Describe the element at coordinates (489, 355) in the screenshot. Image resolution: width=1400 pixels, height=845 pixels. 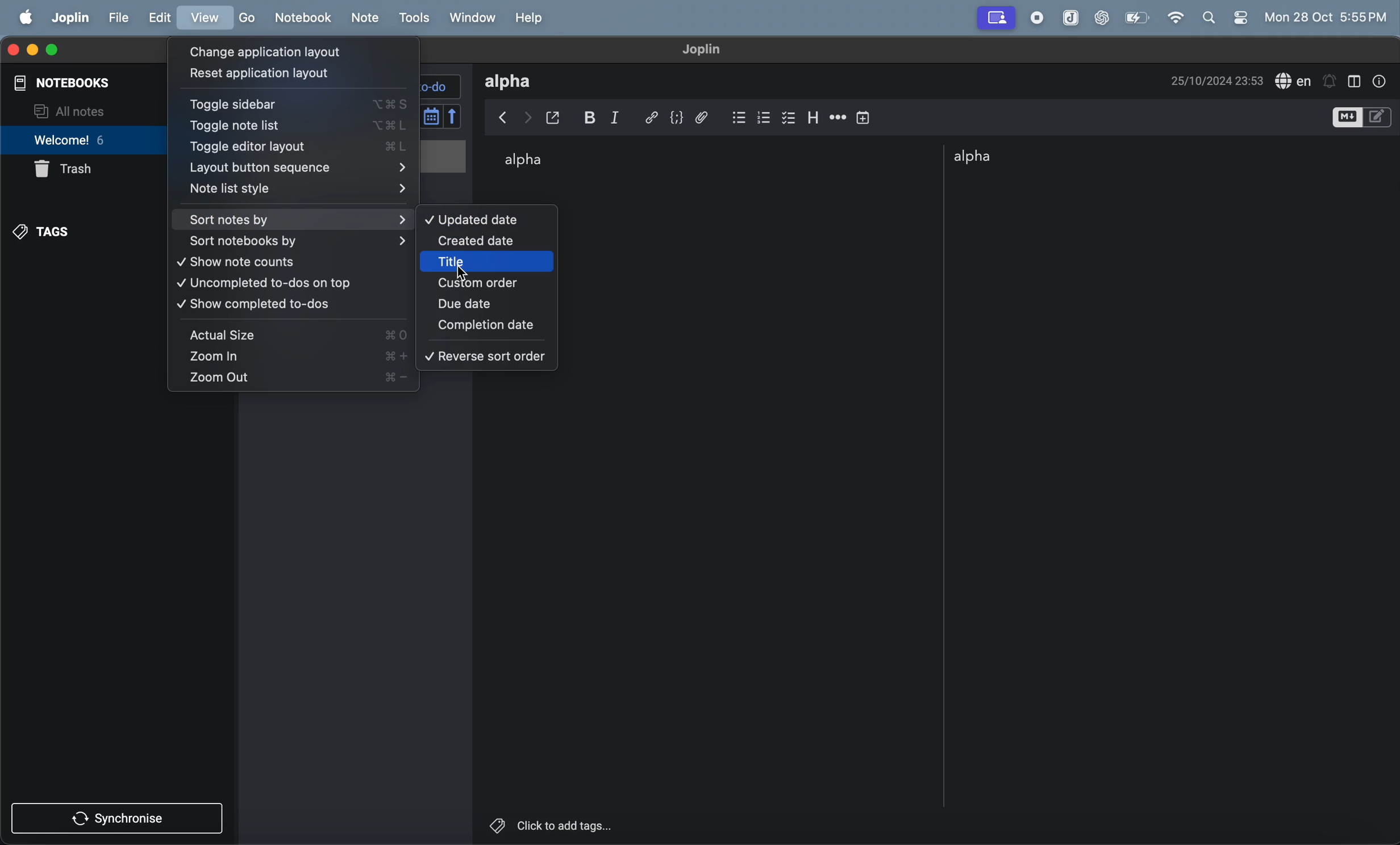
I see `reverse order` at that location.